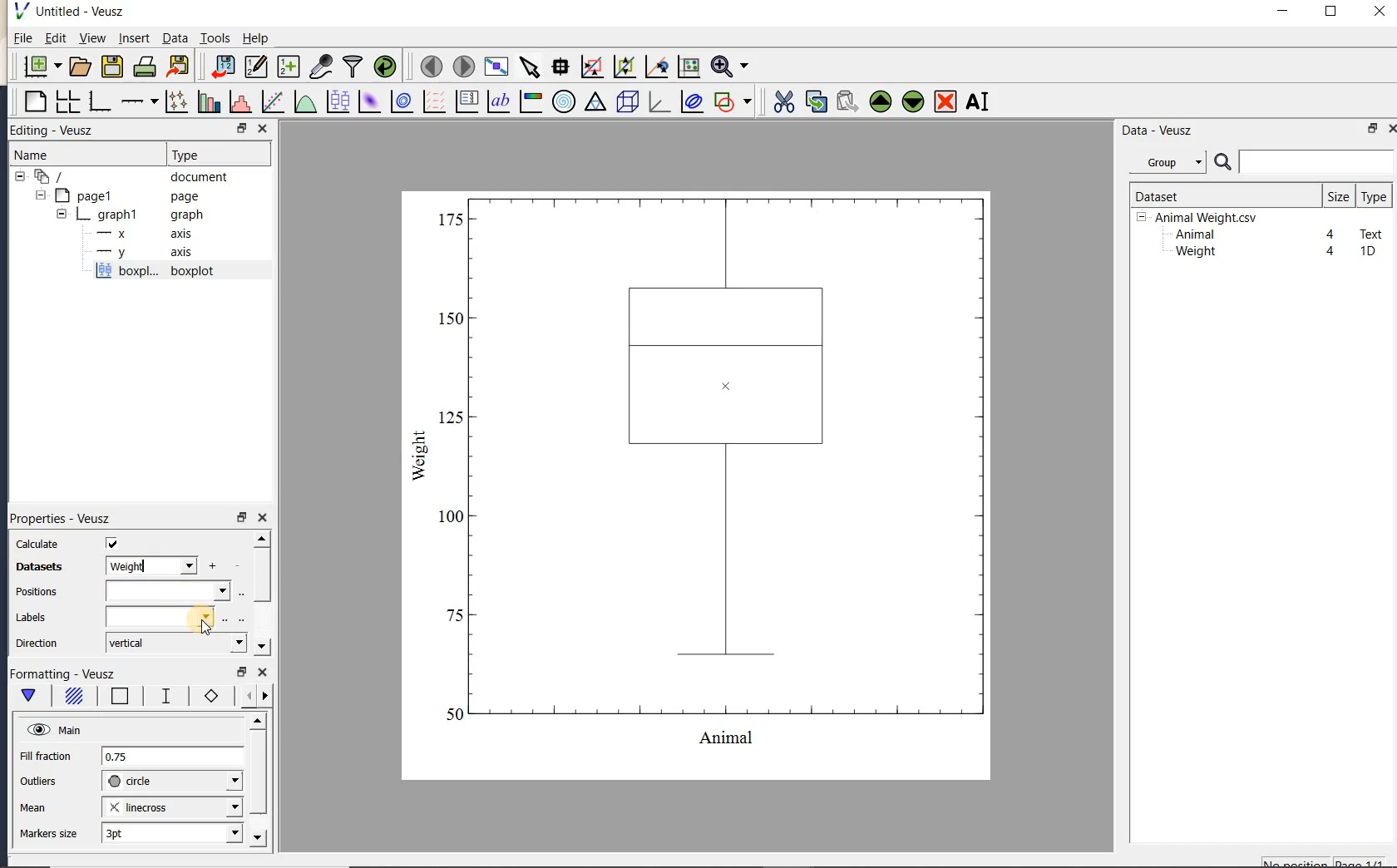  What do you see at coordinates (209, 101) in the screenshot?
I see `plot bar charts` at bounding box center [209, 101].